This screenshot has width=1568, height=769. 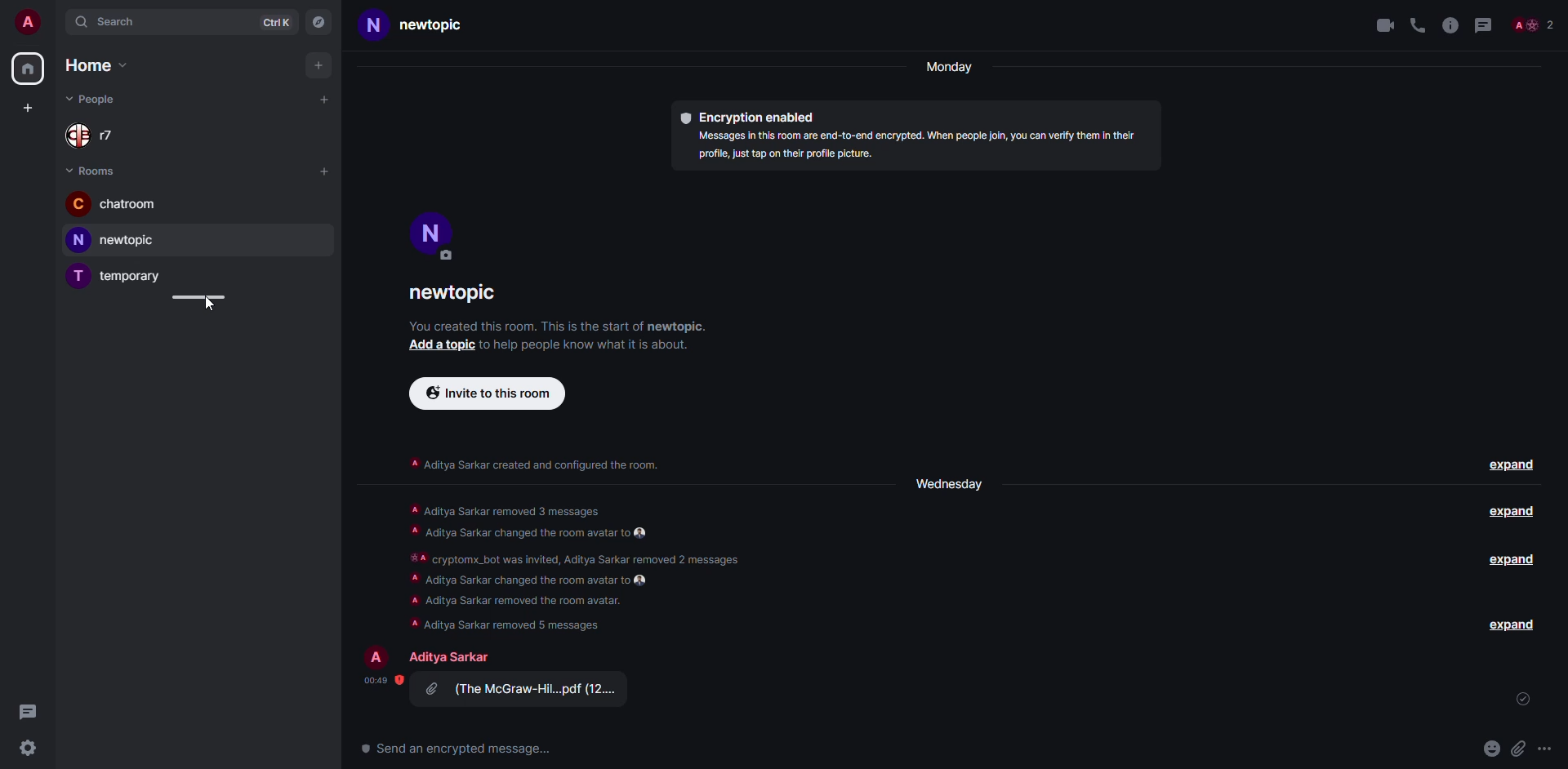 What do you see at coordinates (595, 347) in the screenshot?
I see `: to help people know what it is about.` at bounding box center [595, 347].